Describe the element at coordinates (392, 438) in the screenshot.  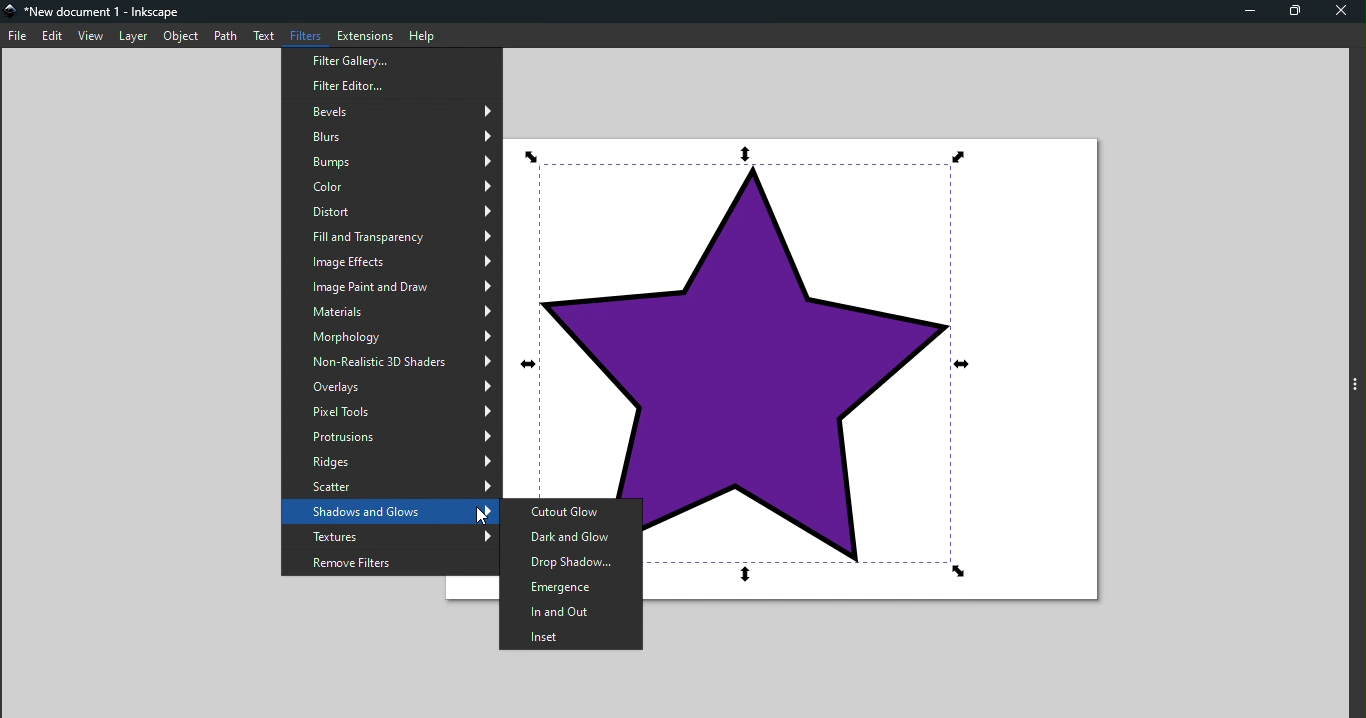
I see `Protrusions` at that location.